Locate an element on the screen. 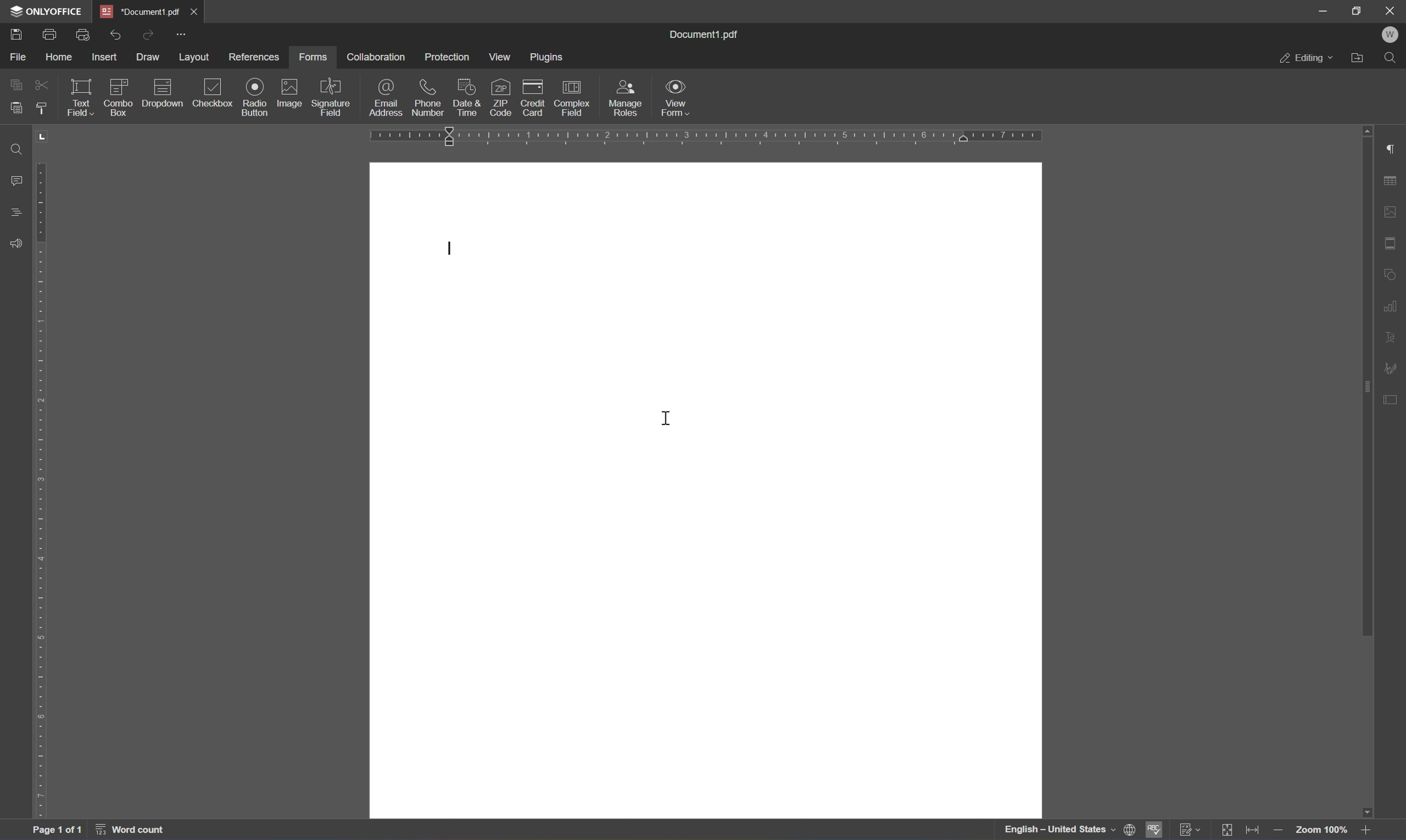 This screenshot has height=840, width=1406. open file location is located at coordinates (1356, 58).